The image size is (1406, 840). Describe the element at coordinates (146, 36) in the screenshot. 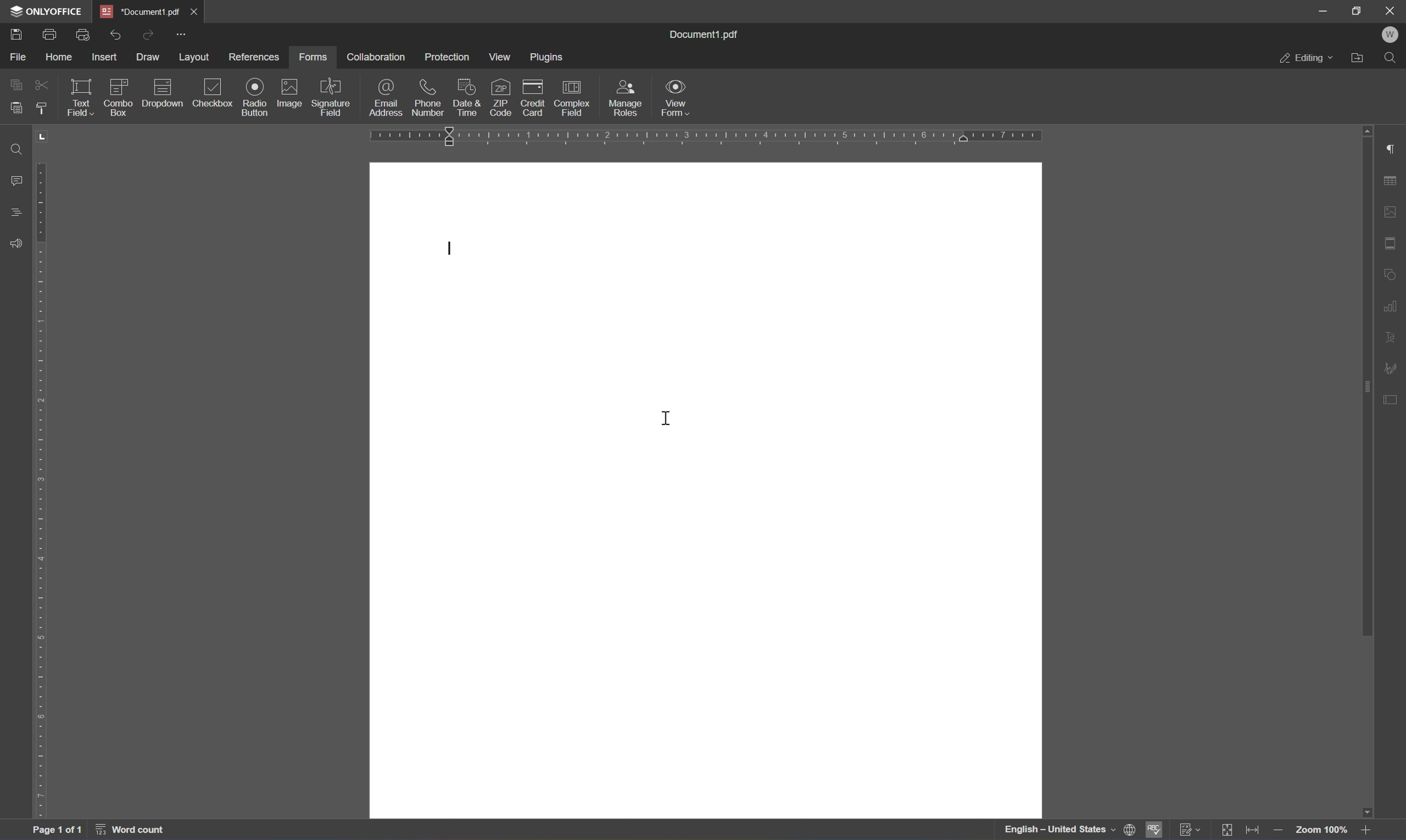

I see `redo` at that location.